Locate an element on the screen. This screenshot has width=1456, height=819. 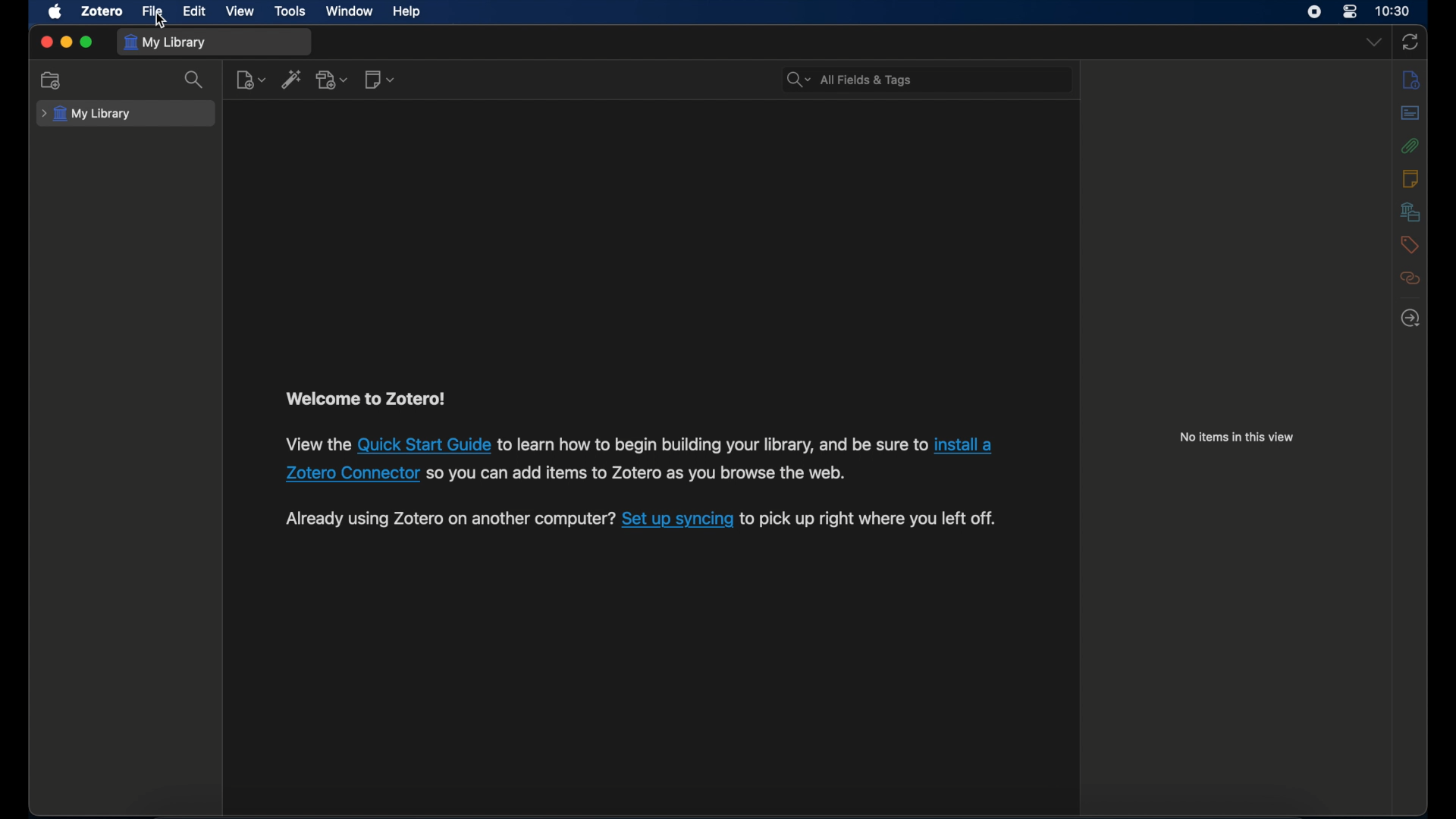
new collection is located at coordinates (51, 80).